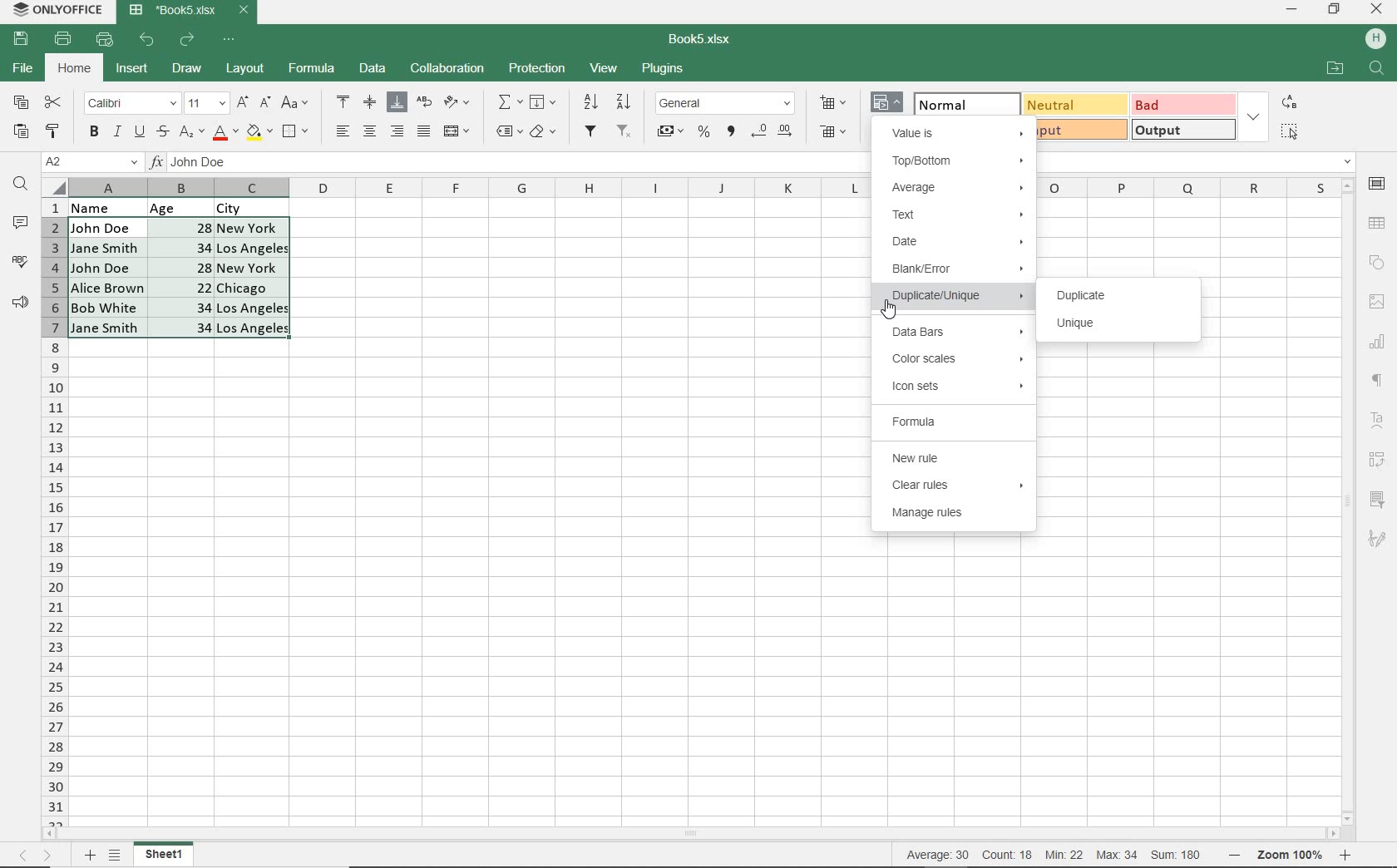 The width and height of the screenshot is (1397, 868). I want to click on HP, so click(1375, 40).